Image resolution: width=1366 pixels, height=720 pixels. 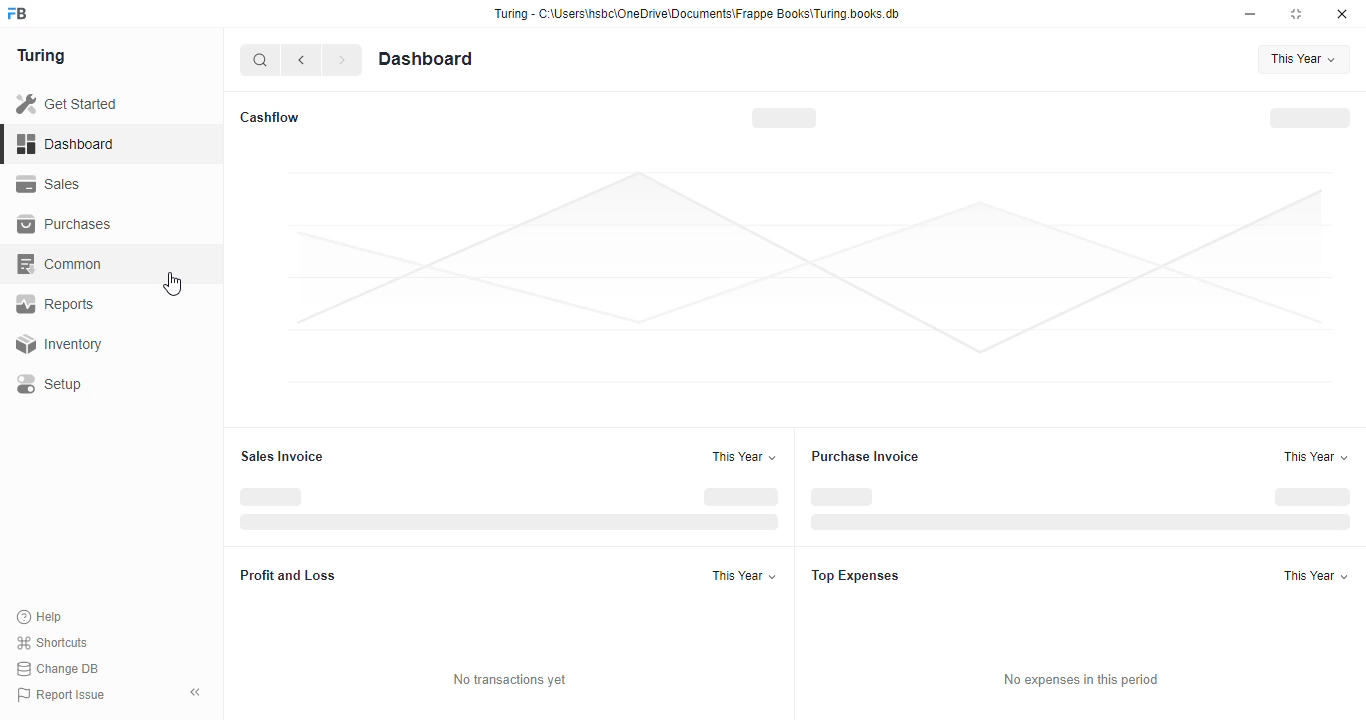 What do you see at coordinates (61, 264) in the screenshot?
I see `common` at bounding box center [61, 264].